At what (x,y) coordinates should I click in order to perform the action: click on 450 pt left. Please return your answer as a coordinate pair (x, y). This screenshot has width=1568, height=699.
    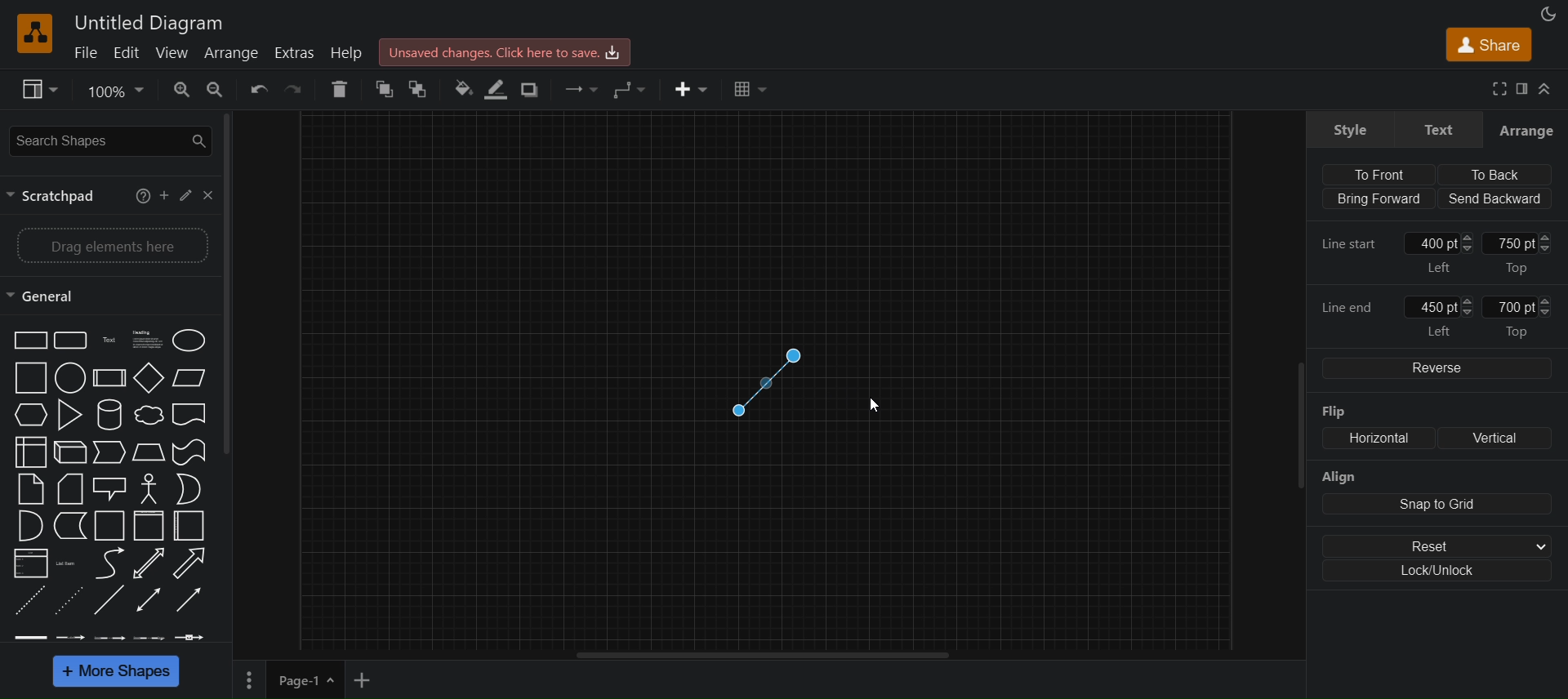
    Looking at the image, I should click on (1441, 315).